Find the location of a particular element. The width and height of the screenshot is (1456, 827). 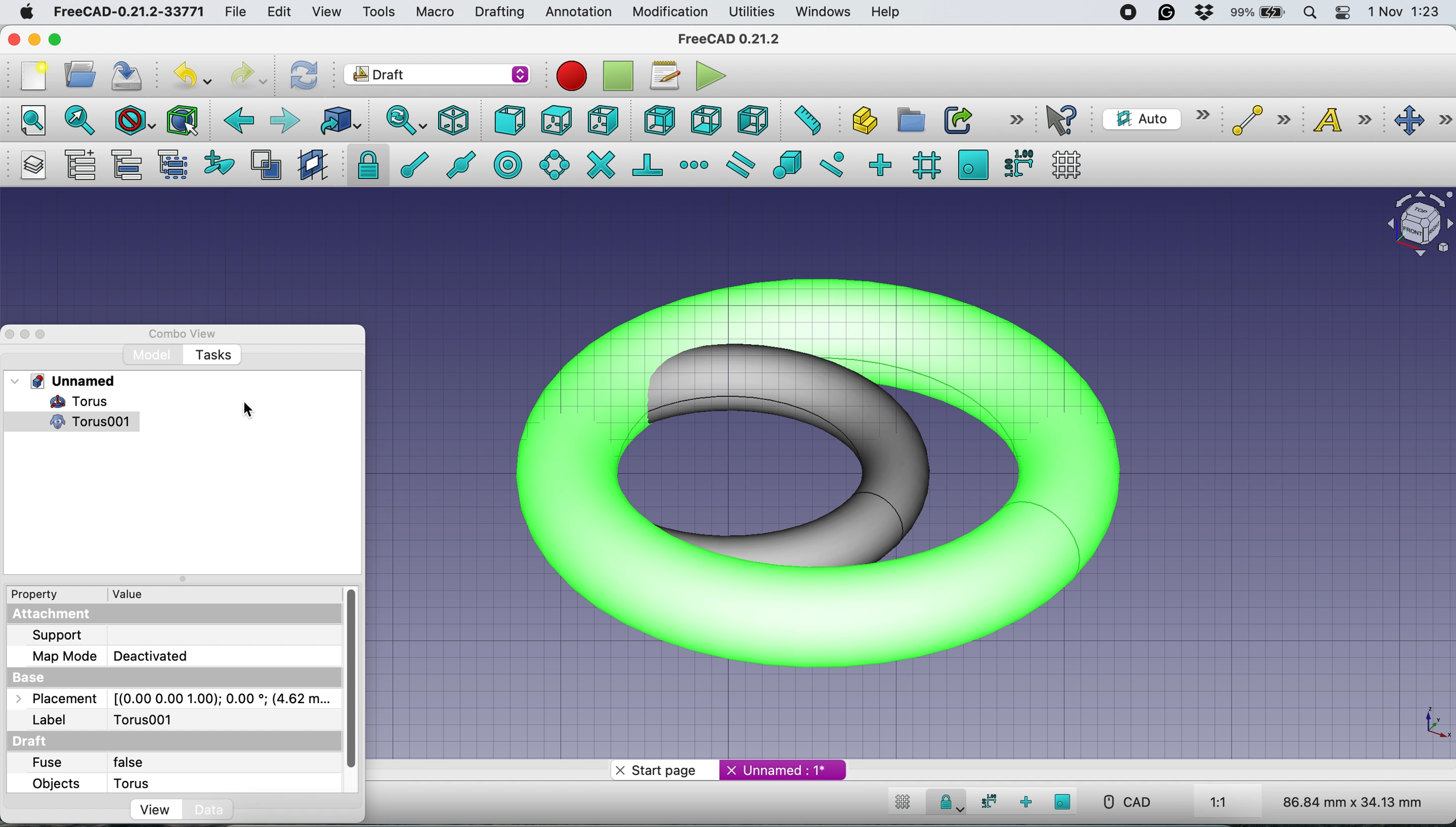

freeCAD 0.21.2 is located at coordinates (729, 40).